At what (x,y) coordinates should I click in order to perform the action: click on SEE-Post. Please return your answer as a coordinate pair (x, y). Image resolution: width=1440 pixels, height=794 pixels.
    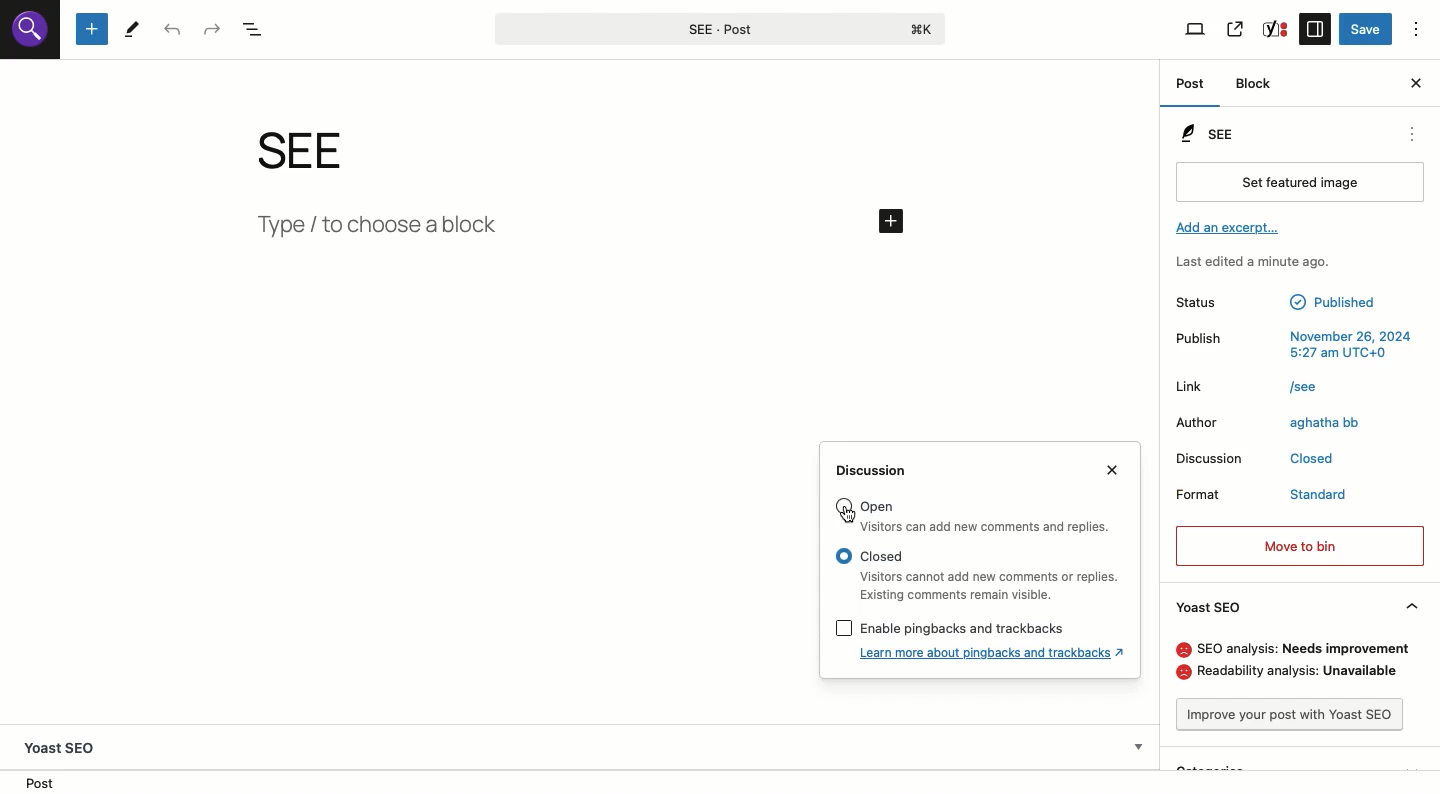
    Looking at the image, I should click on (717, 27).